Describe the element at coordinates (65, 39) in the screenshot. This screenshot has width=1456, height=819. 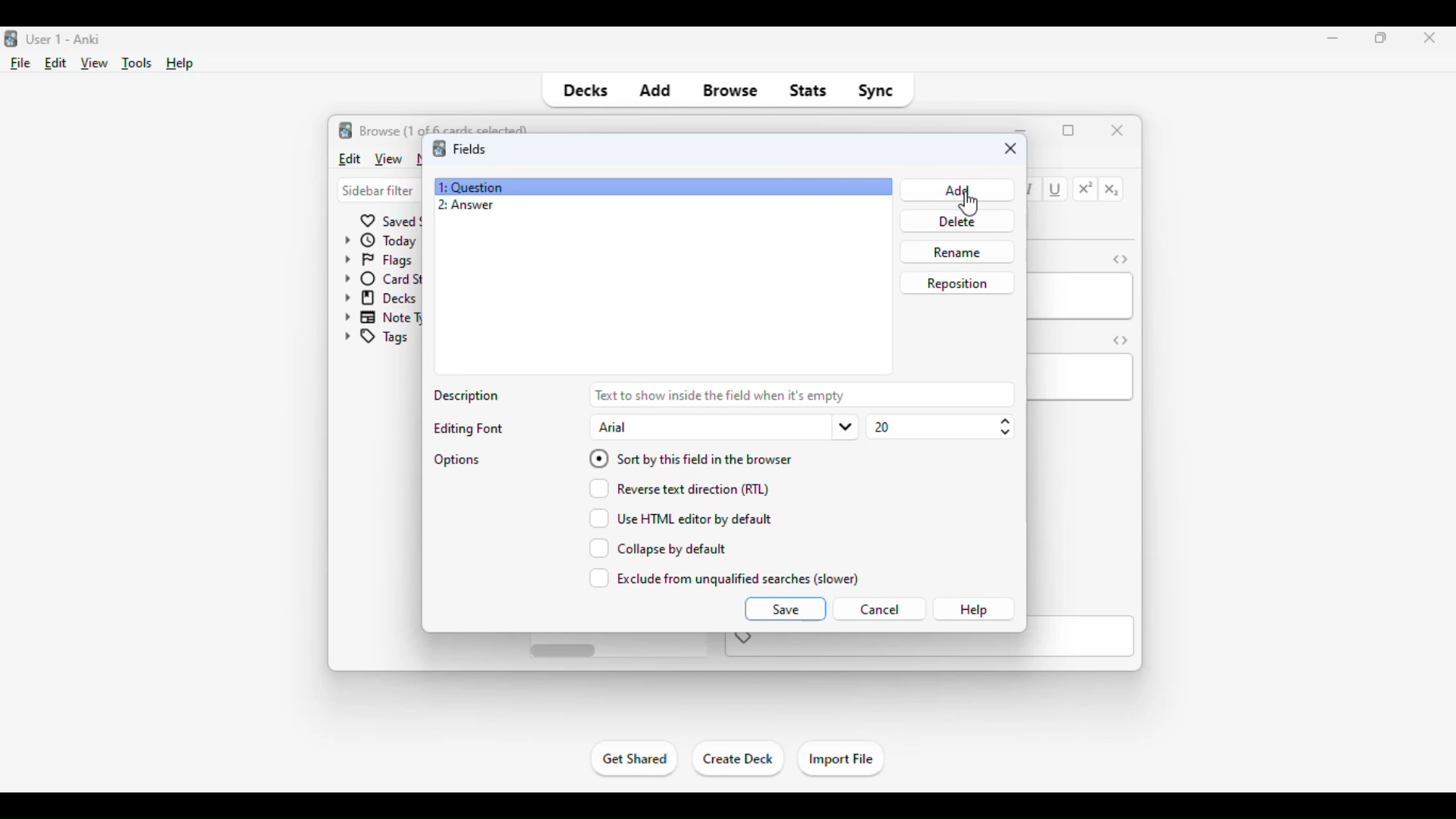
I see `title` at that location.